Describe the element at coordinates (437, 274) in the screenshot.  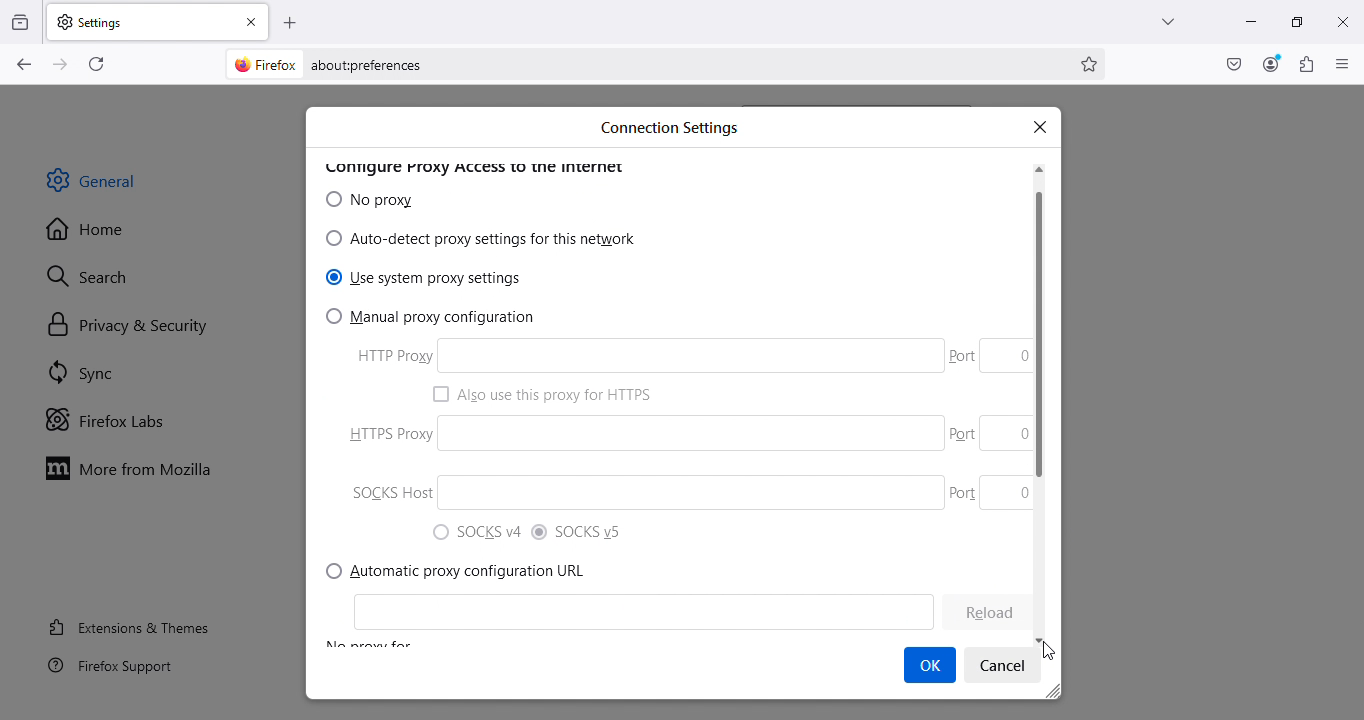
I see `) Use system proxy settings` at that location.